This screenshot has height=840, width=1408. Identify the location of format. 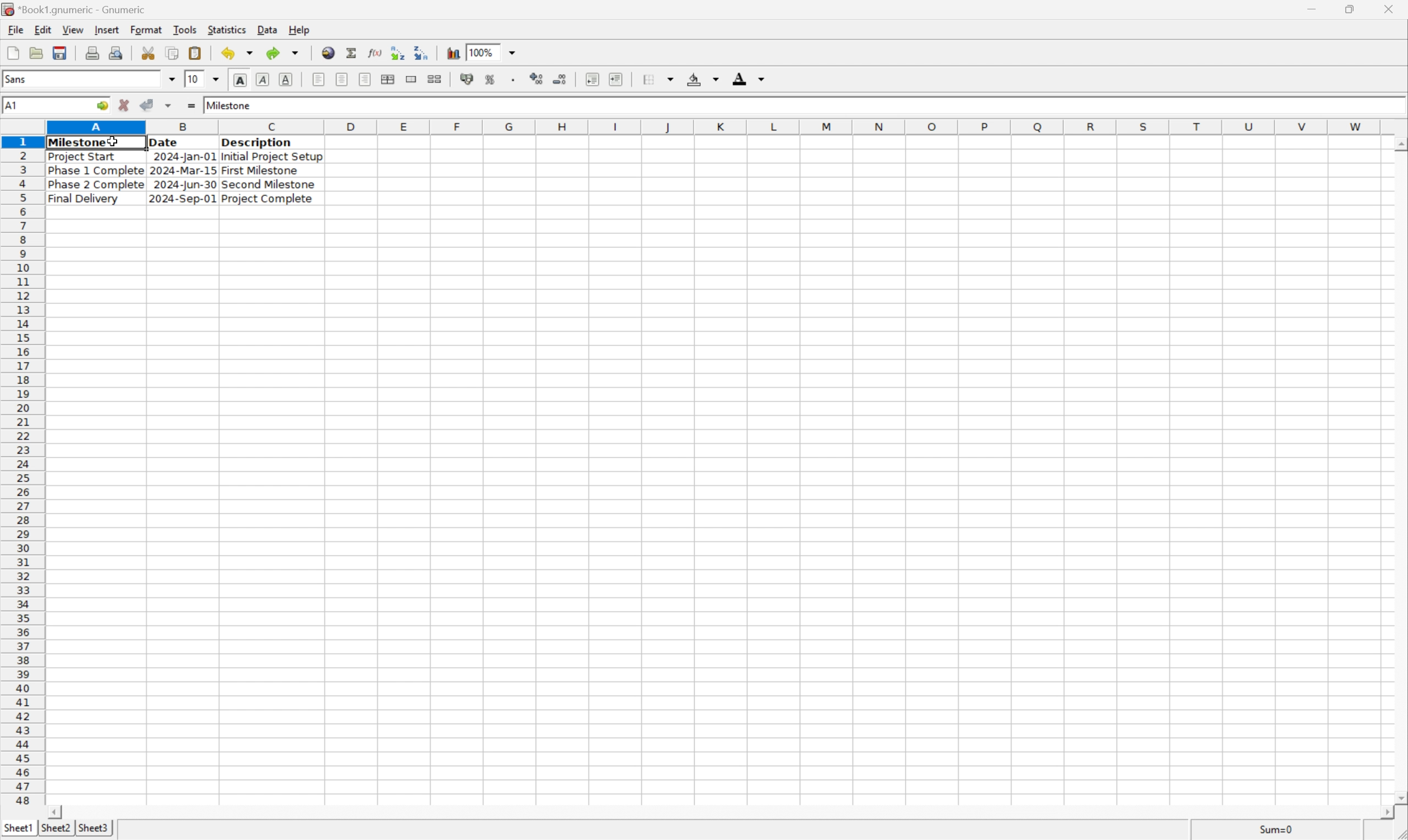
(145, 29).